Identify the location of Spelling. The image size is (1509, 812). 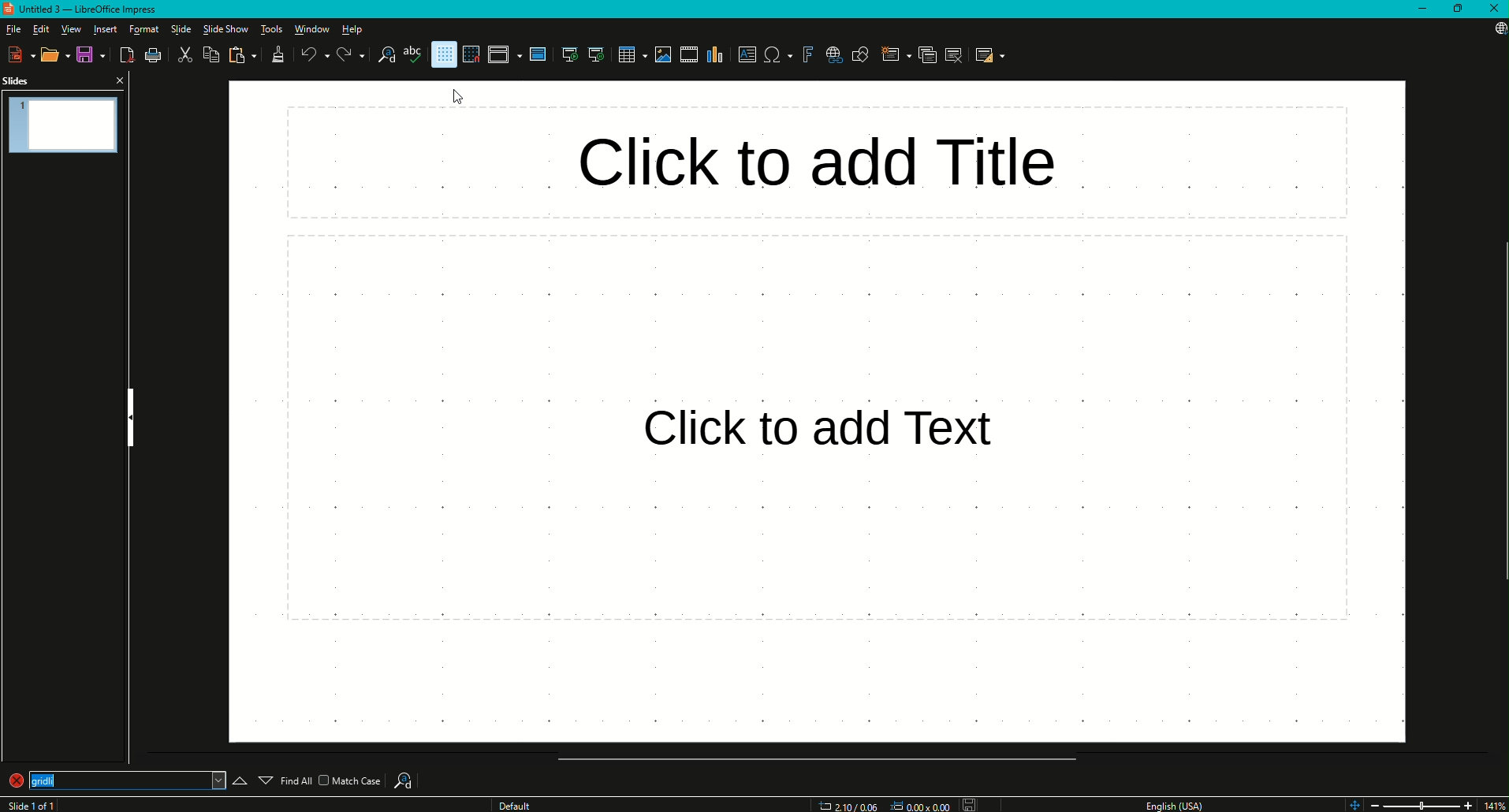
(411, 58).